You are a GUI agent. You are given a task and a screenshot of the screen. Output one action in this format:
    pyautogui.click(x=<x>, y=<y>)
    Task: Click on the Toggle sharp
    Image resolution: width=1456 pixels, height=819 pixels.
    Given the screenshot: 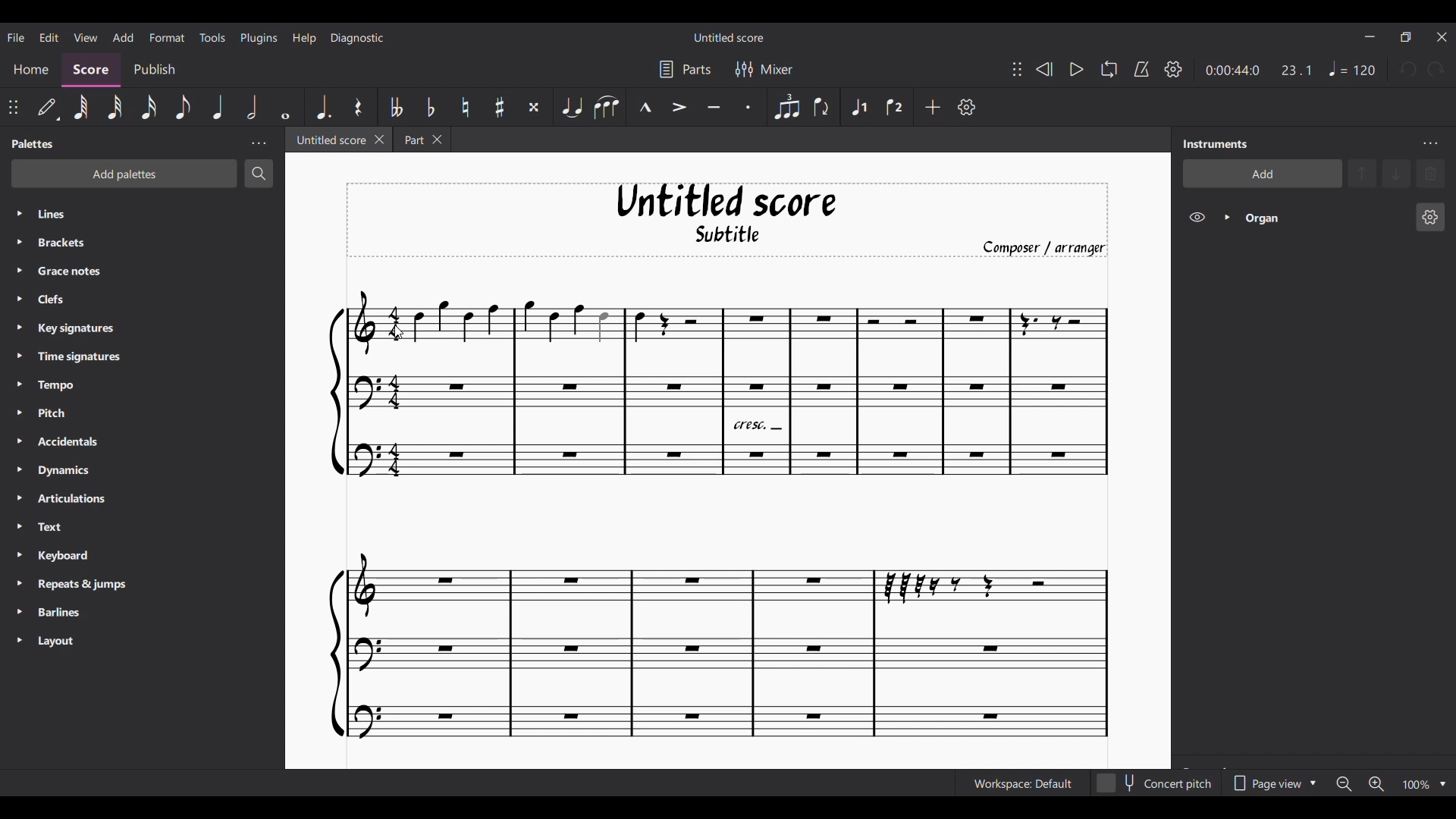 What is the action you would take?
    pyautogui.click(x=500, y=107)
    